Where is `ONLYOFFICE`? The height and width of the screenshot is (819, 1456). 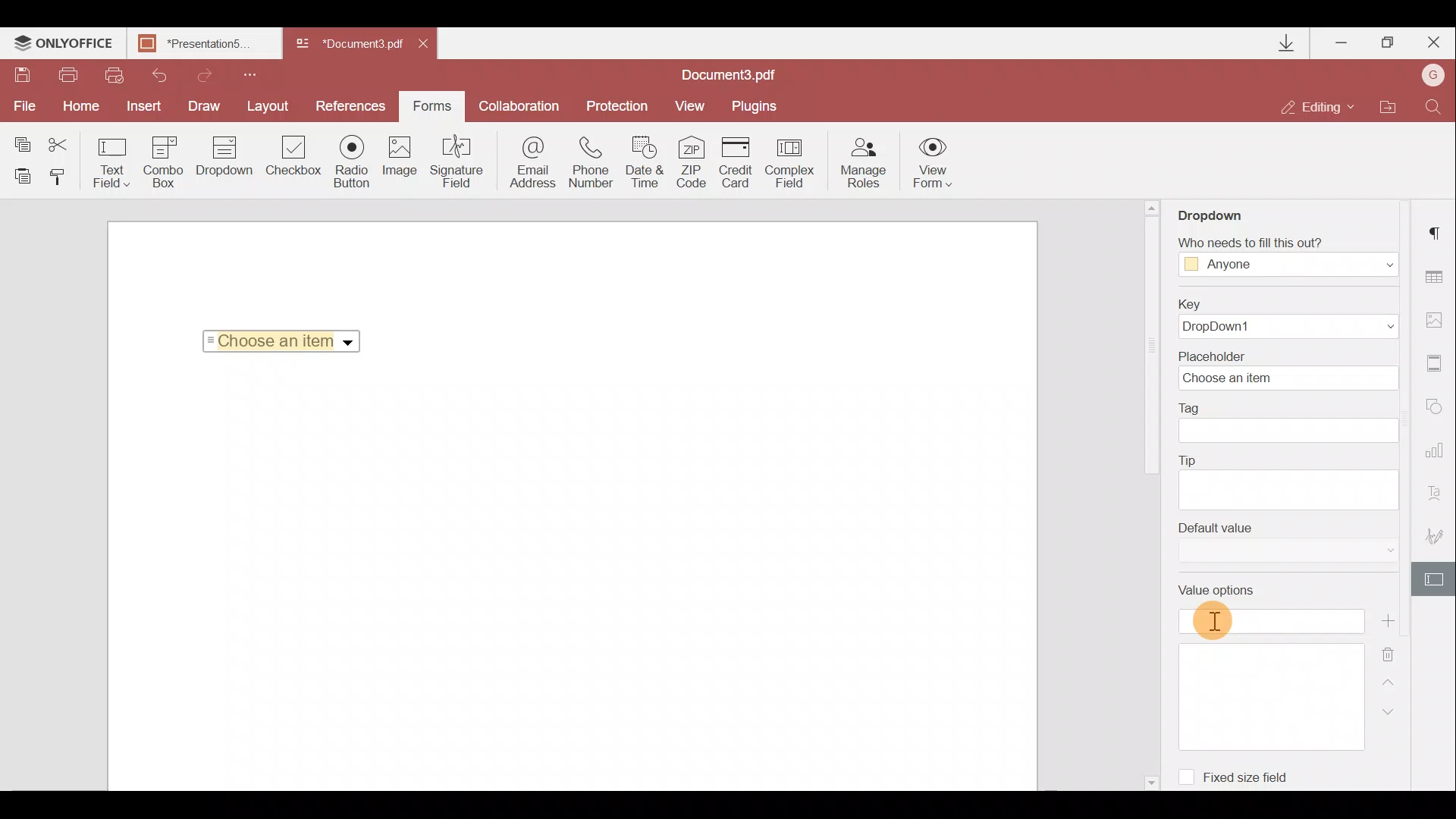 ONLYOFFICE is located at coordinates (64, 45).